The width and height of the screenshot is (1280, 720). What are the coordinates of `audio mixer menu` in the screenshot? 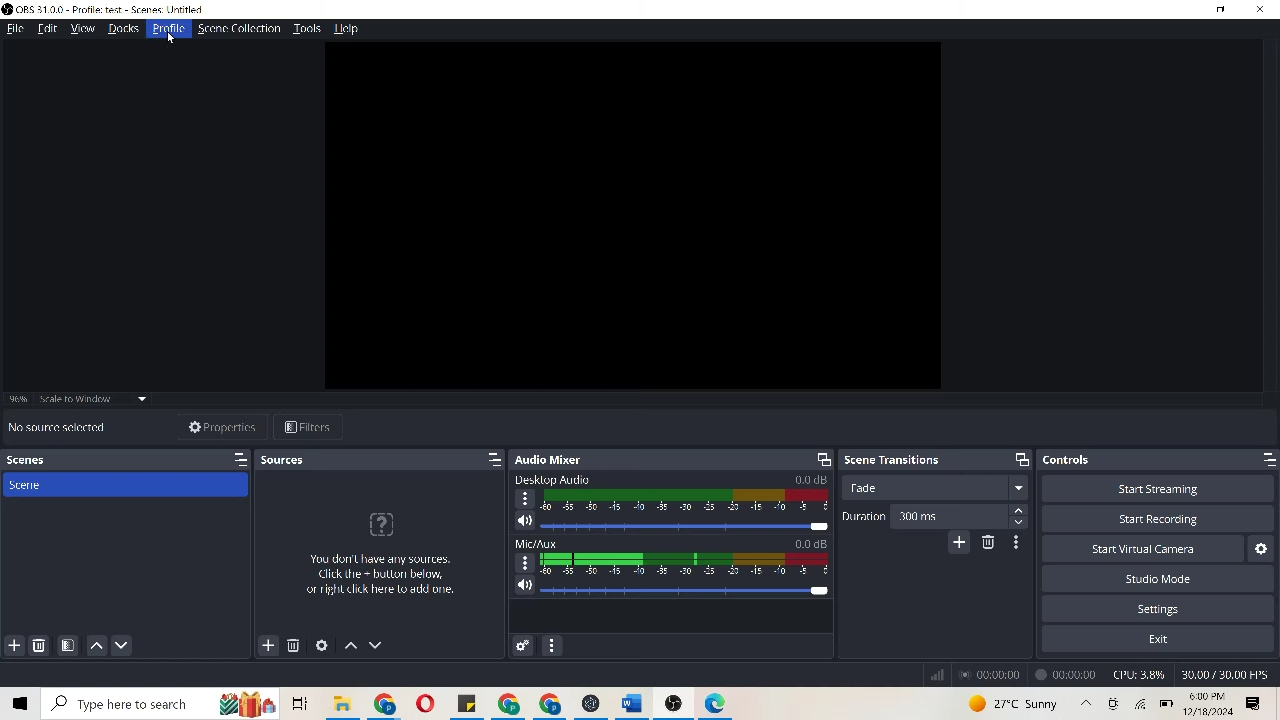 It's located at (551, 641).